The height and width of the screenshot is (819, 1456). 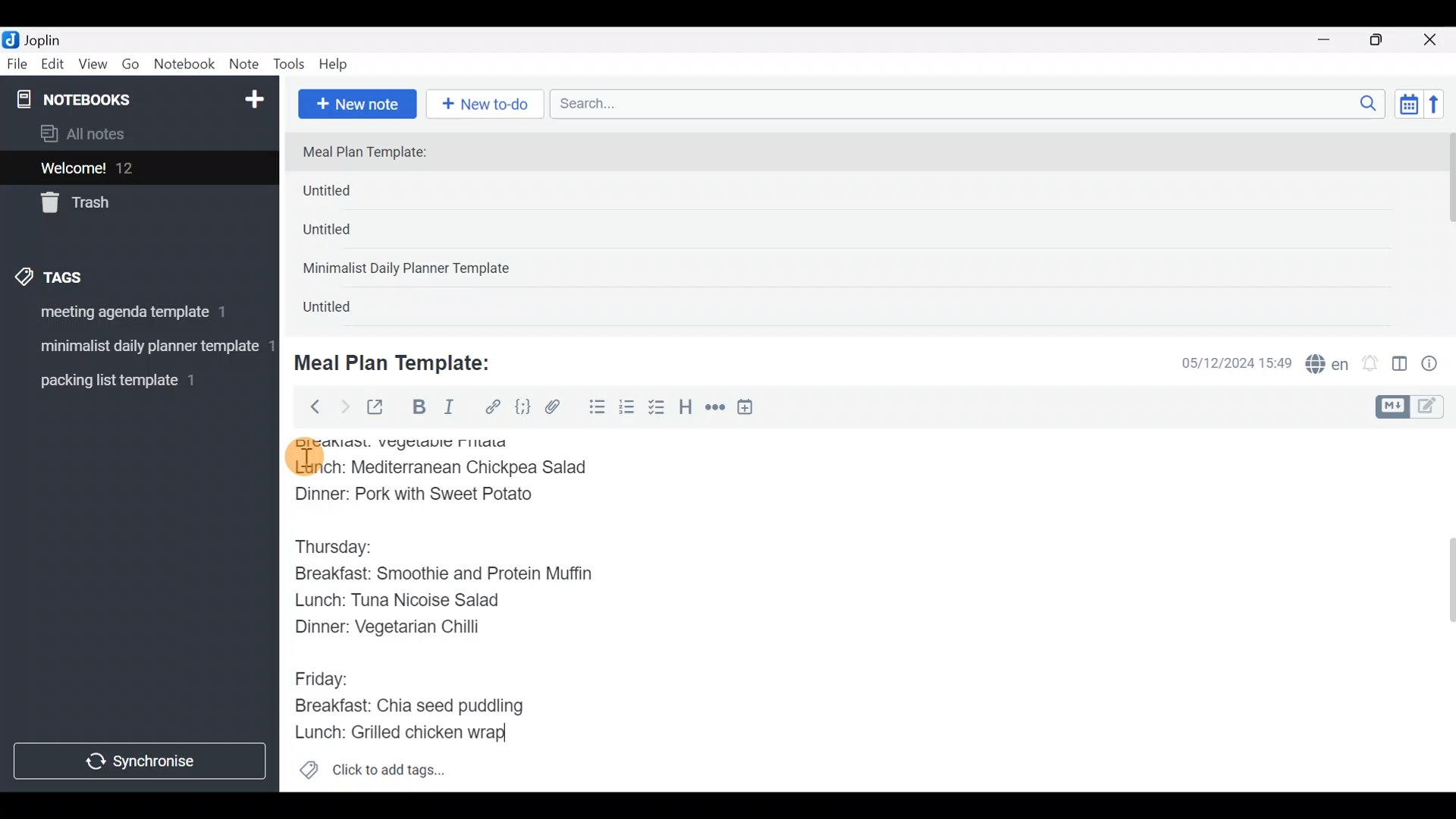 What do you see at coordinates (627, 410) in the screenshot?
I see `Numbered list` at bounding box center [627, 410].